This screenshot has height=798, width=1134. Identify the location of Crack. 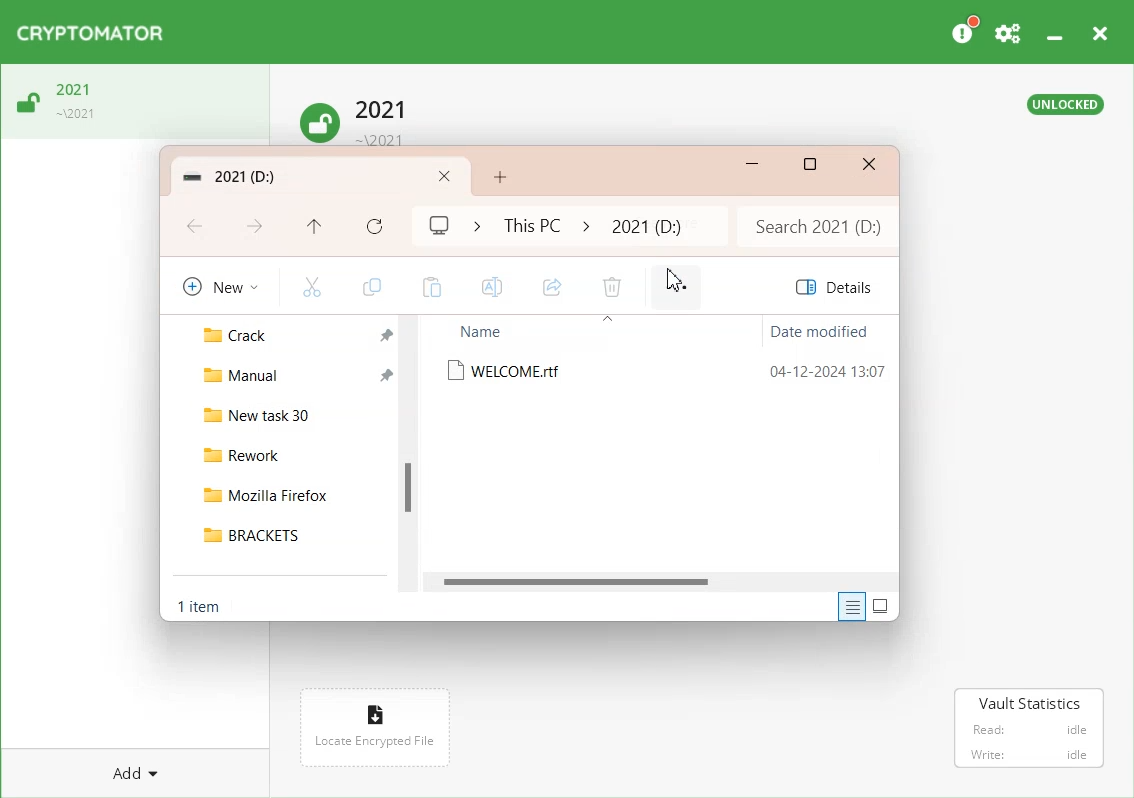
(282, 336).